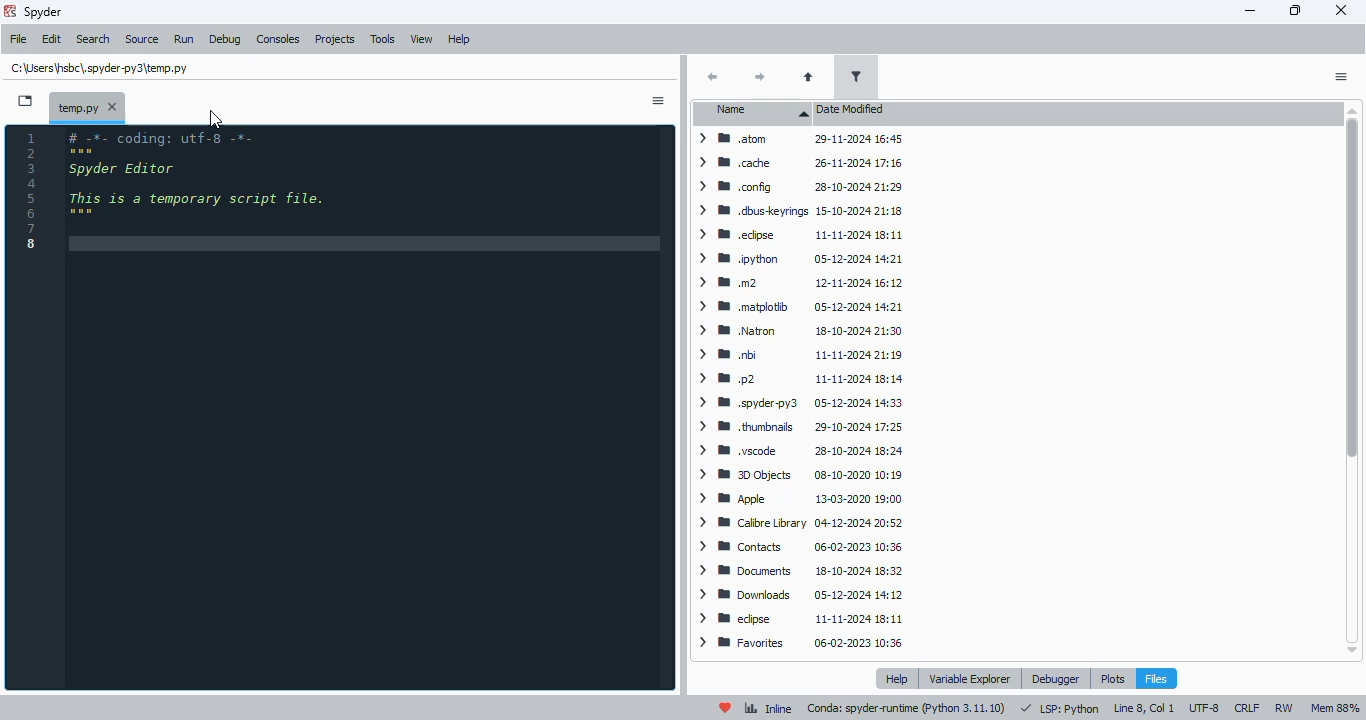 Image resolution: width=1366 pixels, height=720 pixels. Describe the element at coordinates (856, 77) in the screenshot. I see `filter filenames` at that location.